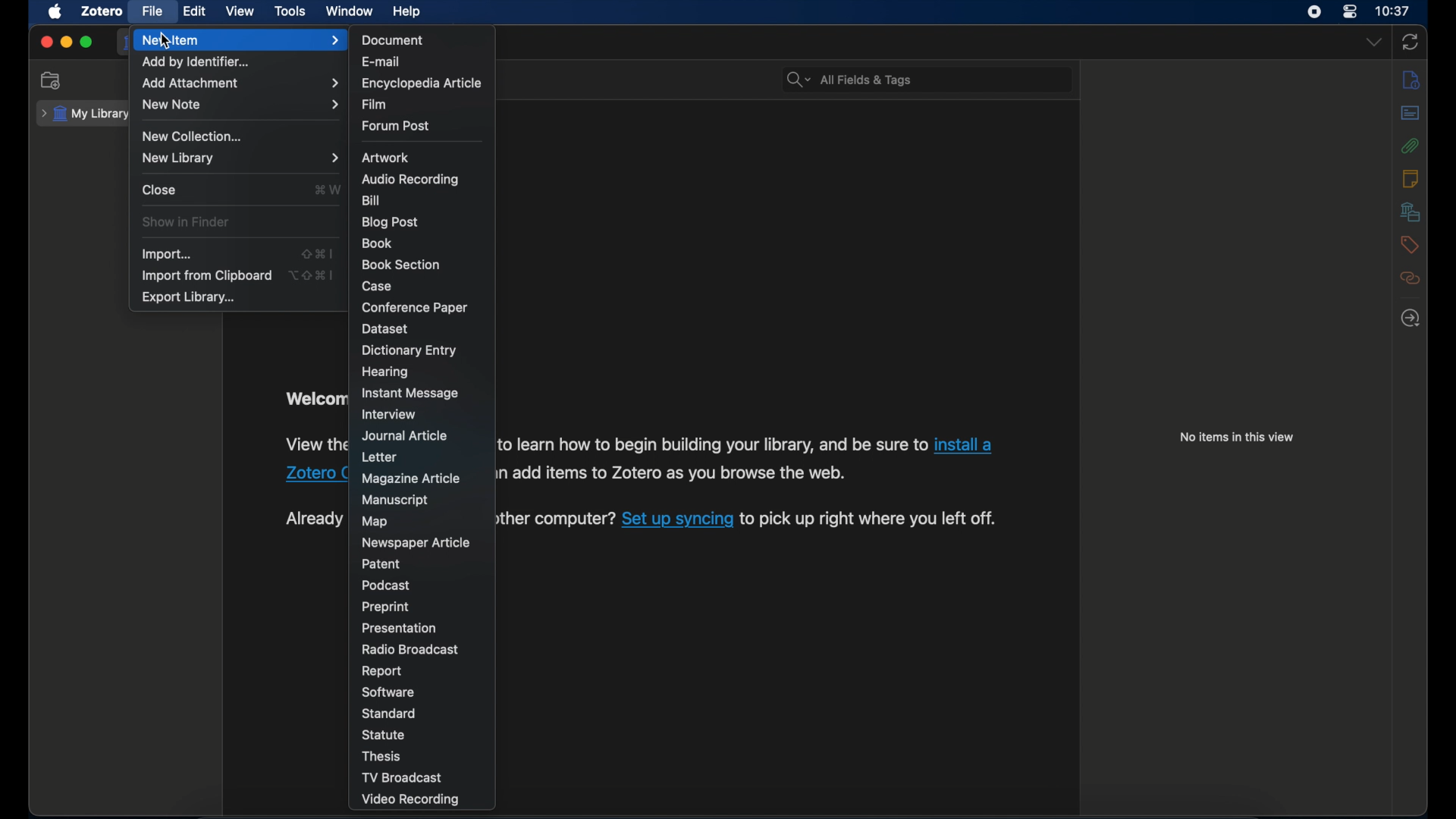 This screenshot has height=819, width=1456. What do you see at coordinates (1411, 79) in the screenshot?
I see `info` at bounding box center [1411, 79].